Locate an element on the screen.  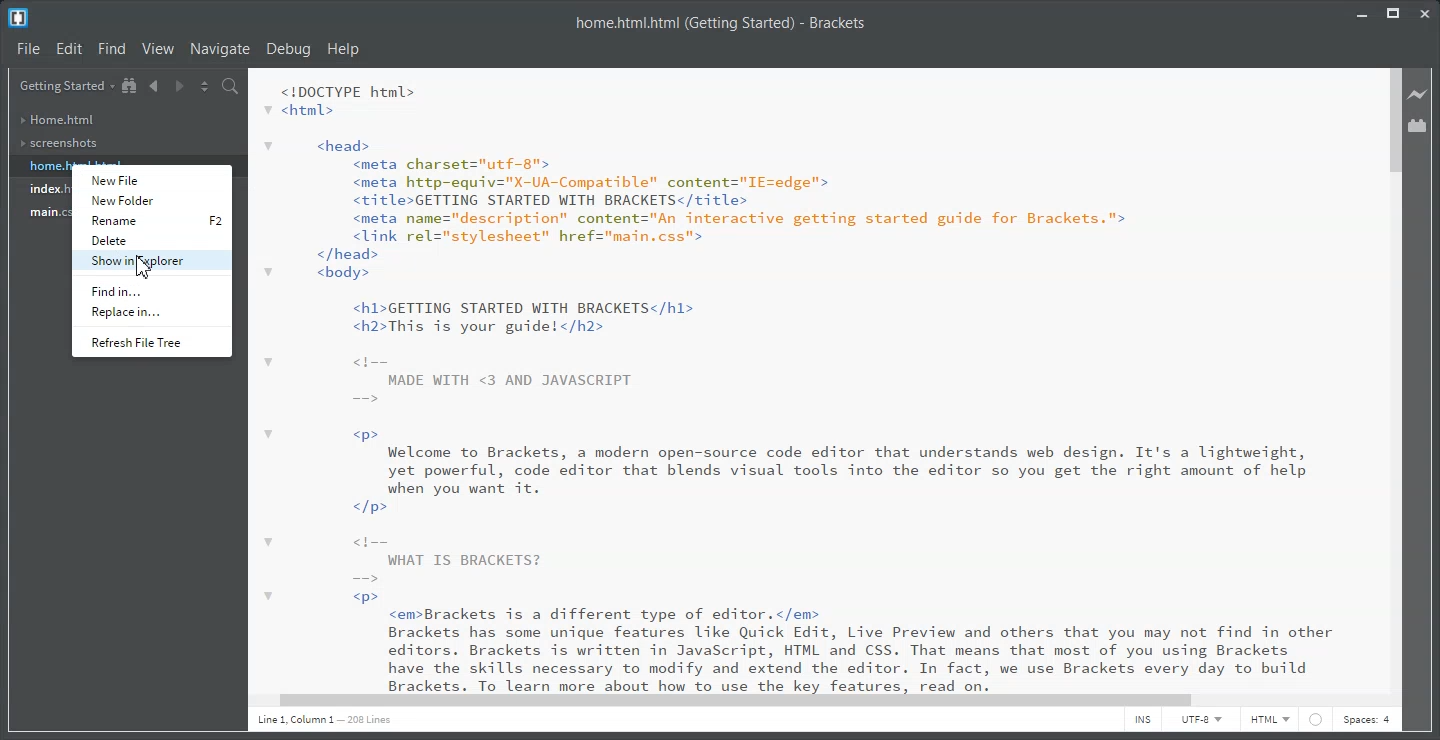
HTML is located at coordinates (1270, 721).